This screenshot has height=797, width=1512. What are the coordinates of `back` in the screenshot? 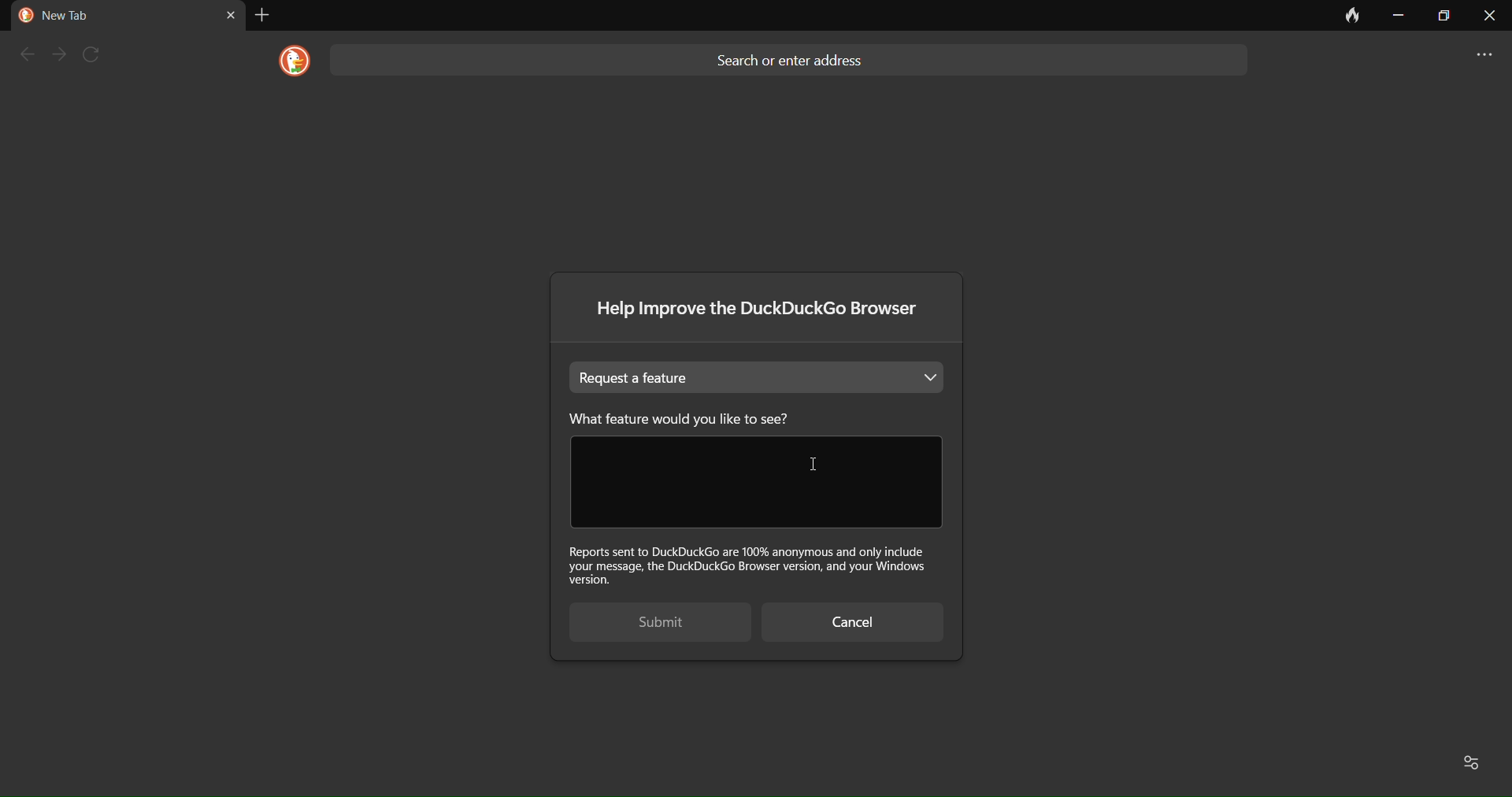 It's located at (25, 54).